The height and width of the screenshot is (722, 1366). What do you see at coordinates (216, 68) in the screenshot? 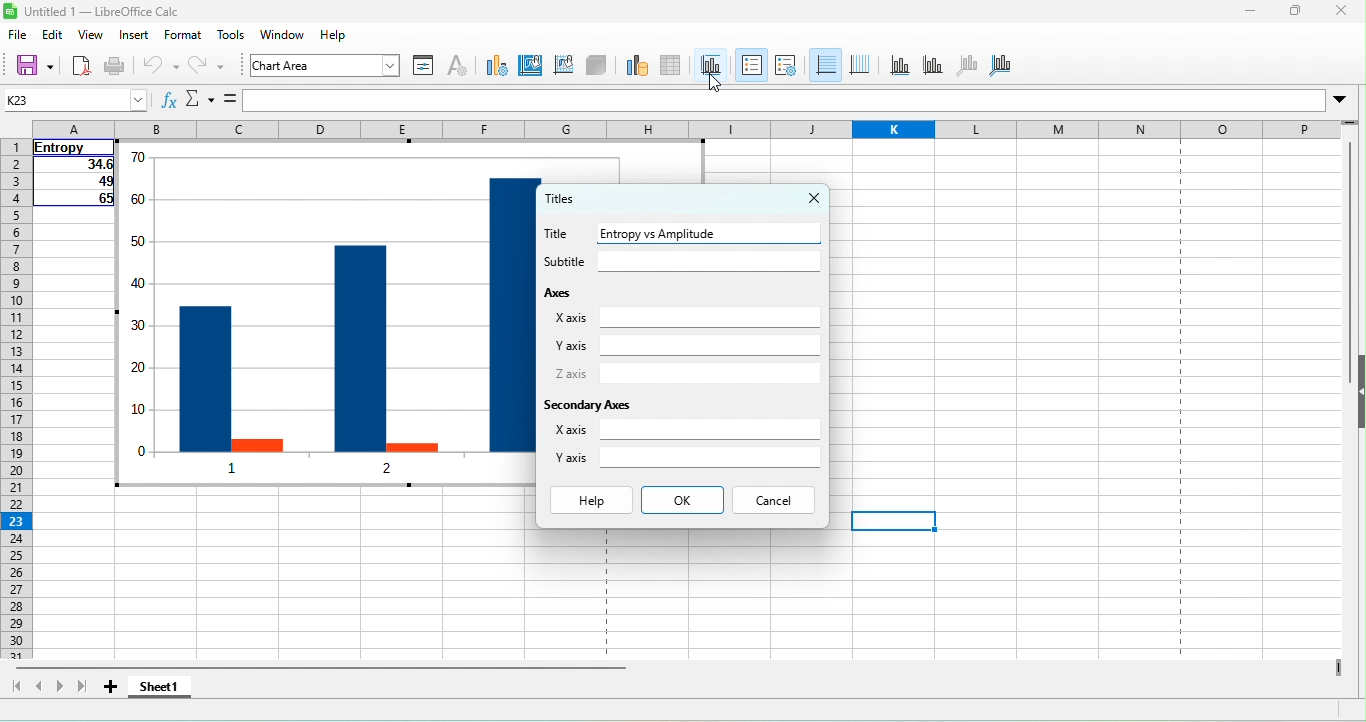
I see `redo` at bounding box center [216, 68].